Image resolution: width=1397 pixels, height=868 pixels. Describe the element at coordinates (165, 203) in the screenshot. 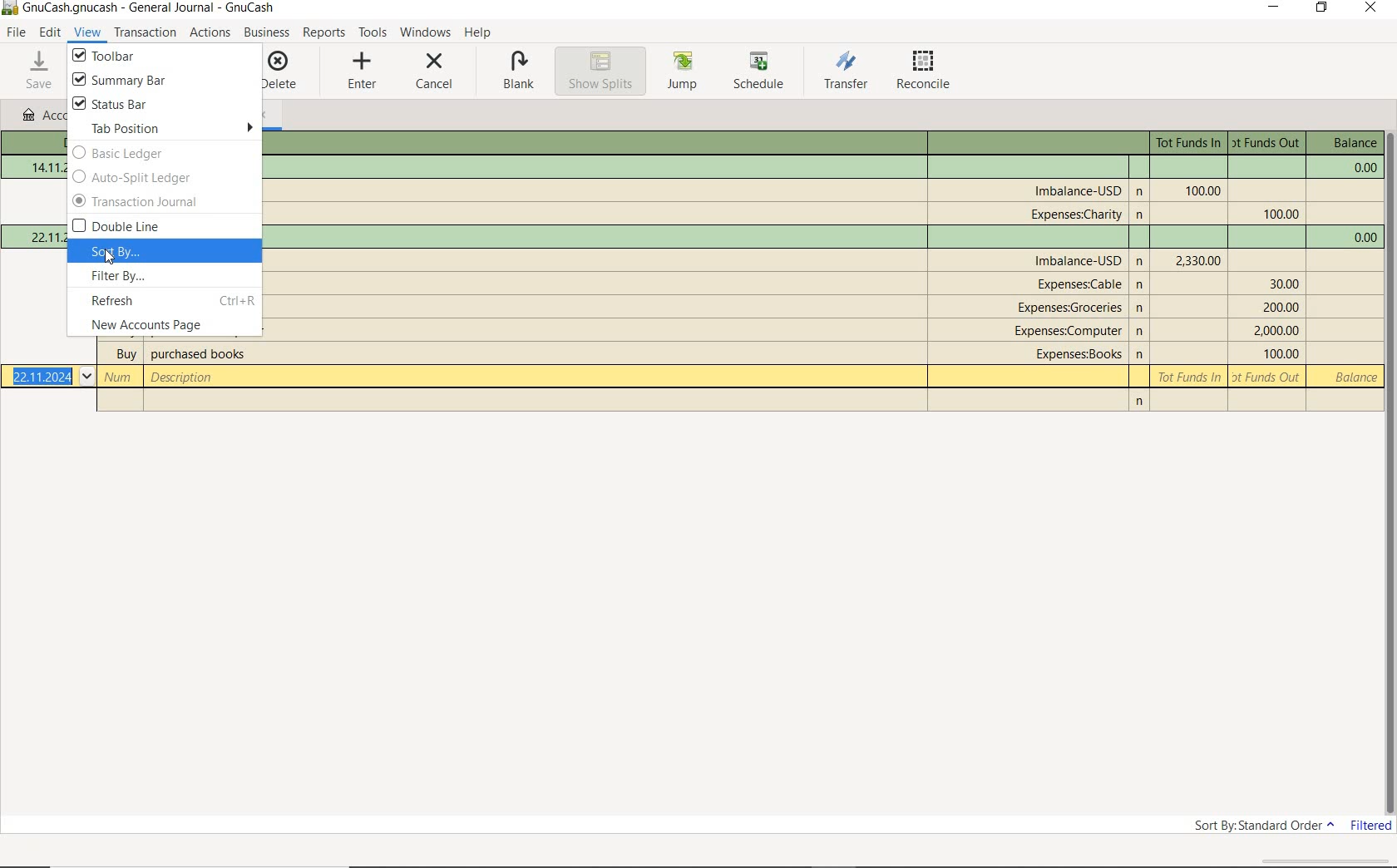

I see `transaction journal` at that location.